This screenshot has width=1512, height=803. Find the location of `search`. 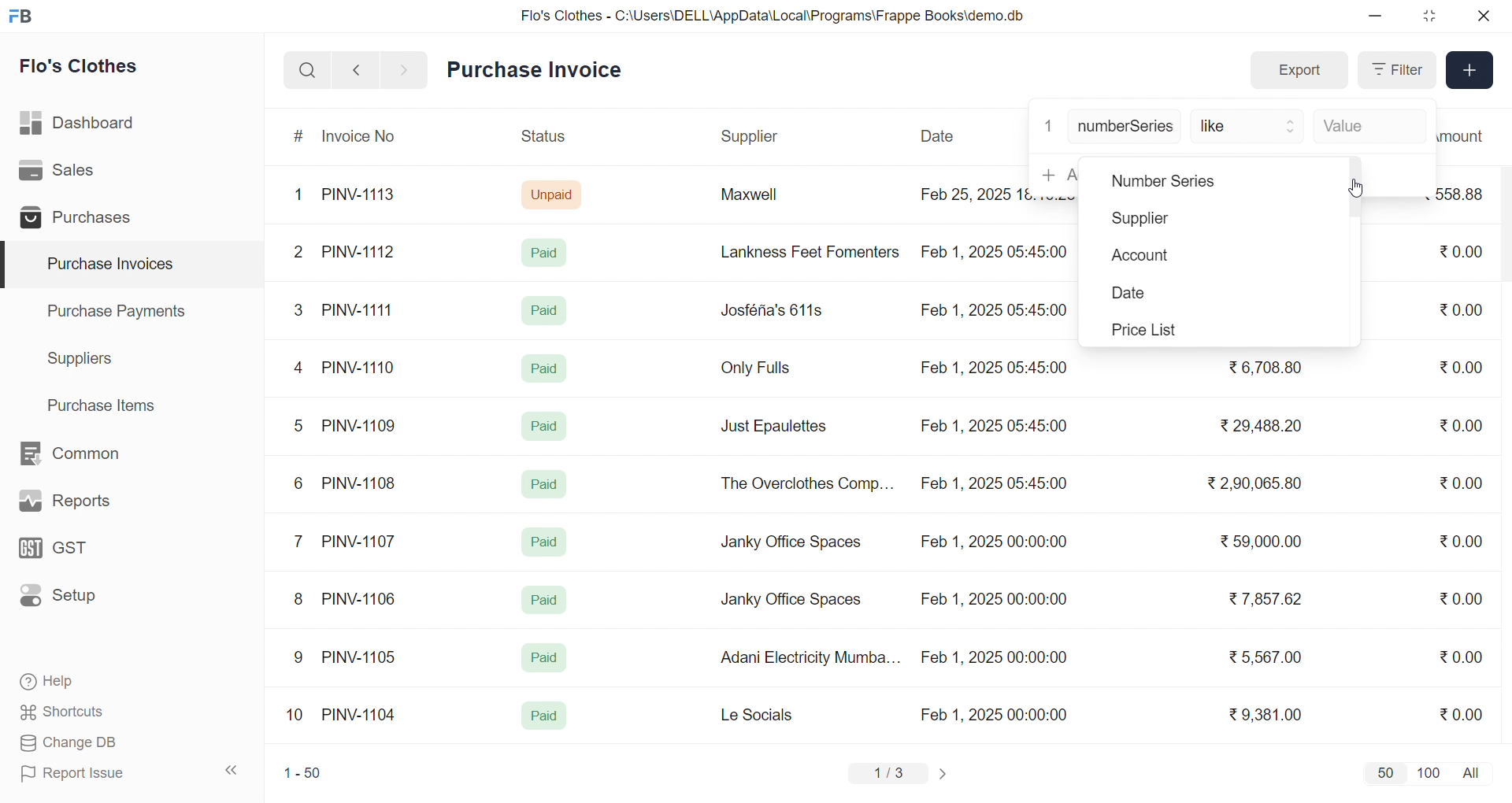

search is located at coordinates (307, 70).